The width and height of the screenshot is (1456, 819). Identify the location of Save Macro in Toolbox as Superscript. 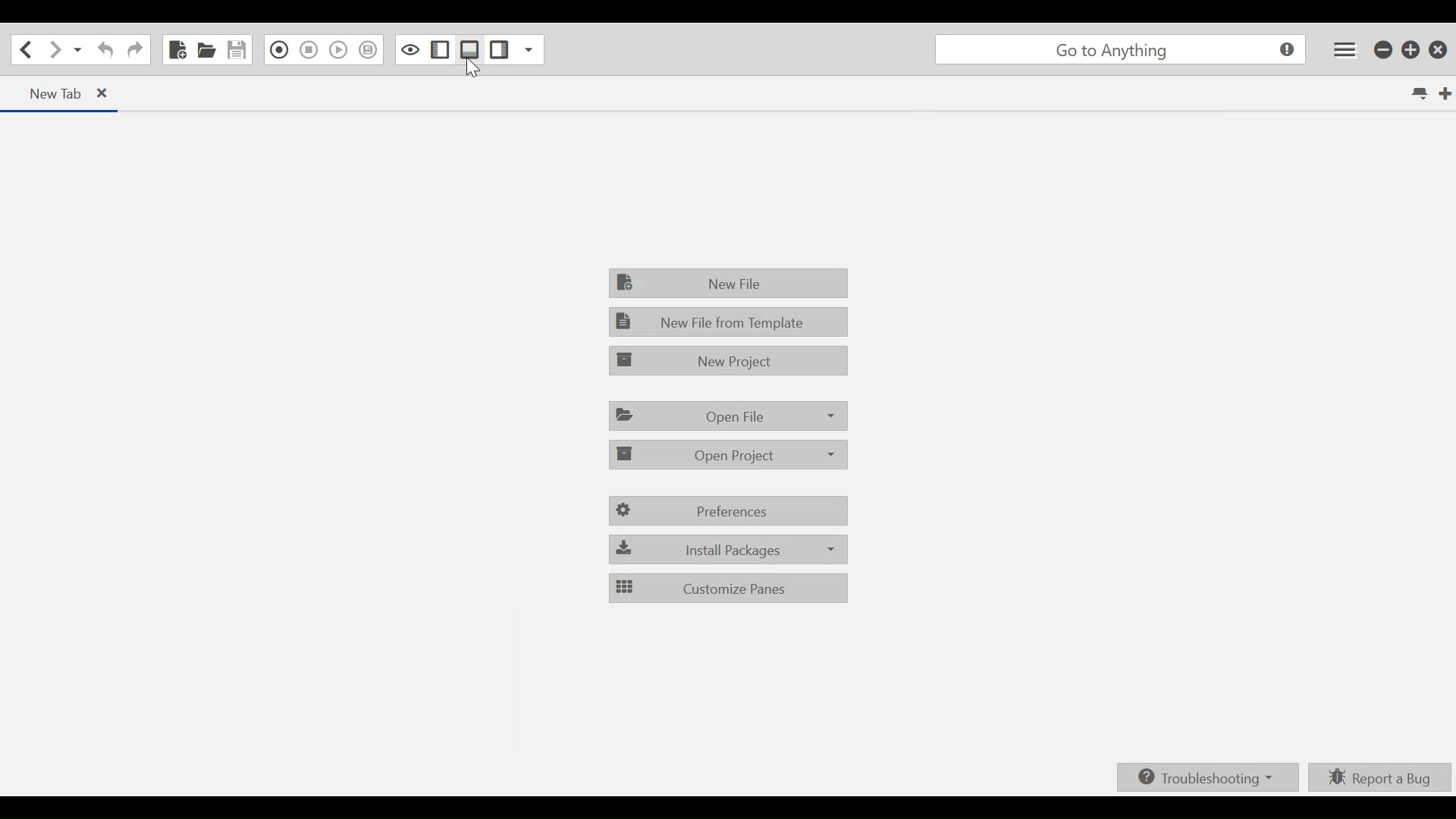
(369, 50).